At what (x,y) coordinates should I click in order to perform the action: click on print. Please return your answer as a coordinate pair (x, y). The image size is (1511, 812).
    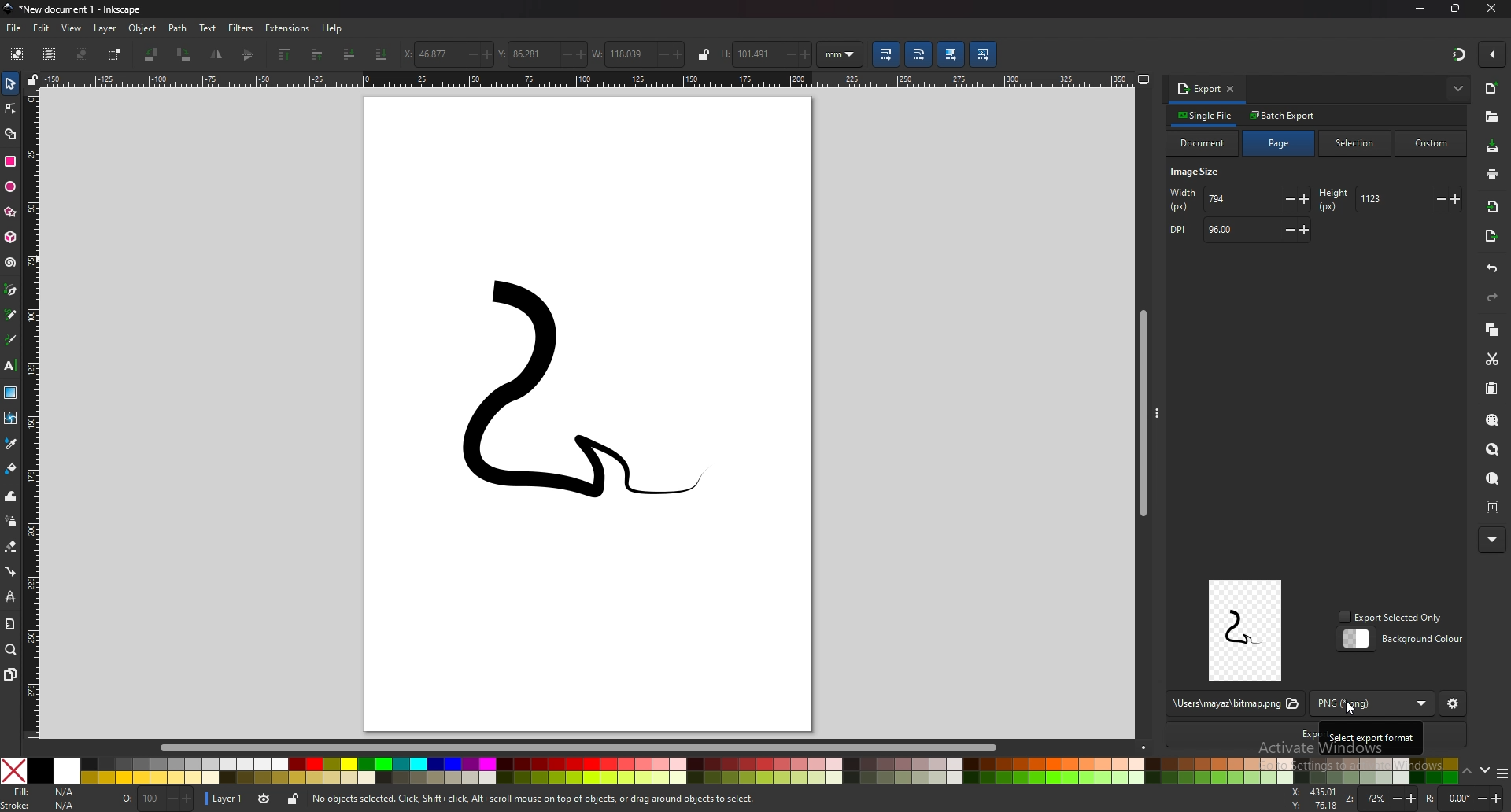
    Looking at the image, I should click on (1491, 173).